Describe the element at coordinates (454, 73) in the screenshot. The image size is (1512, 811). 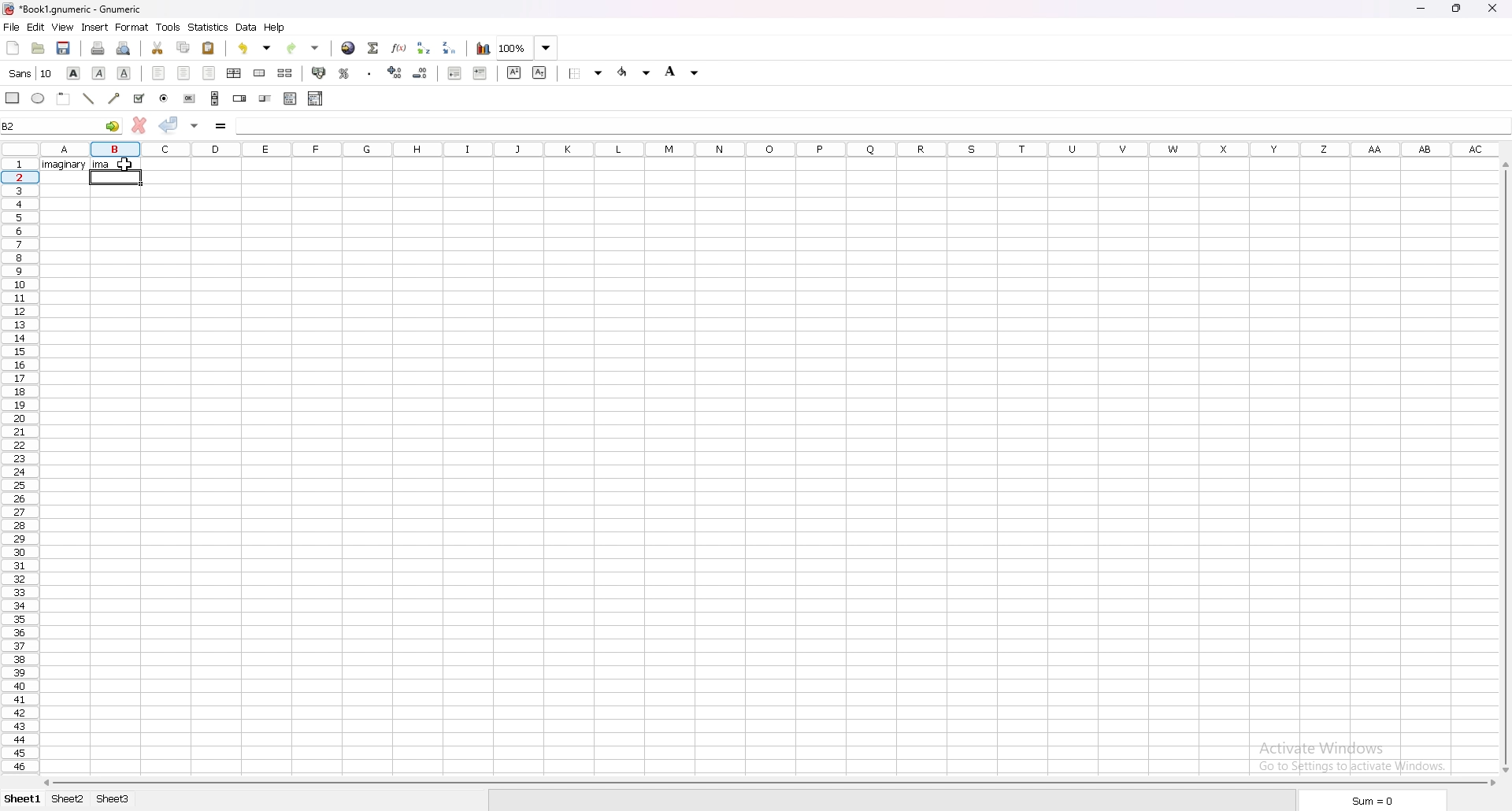
I see `decrease indent` at that location.